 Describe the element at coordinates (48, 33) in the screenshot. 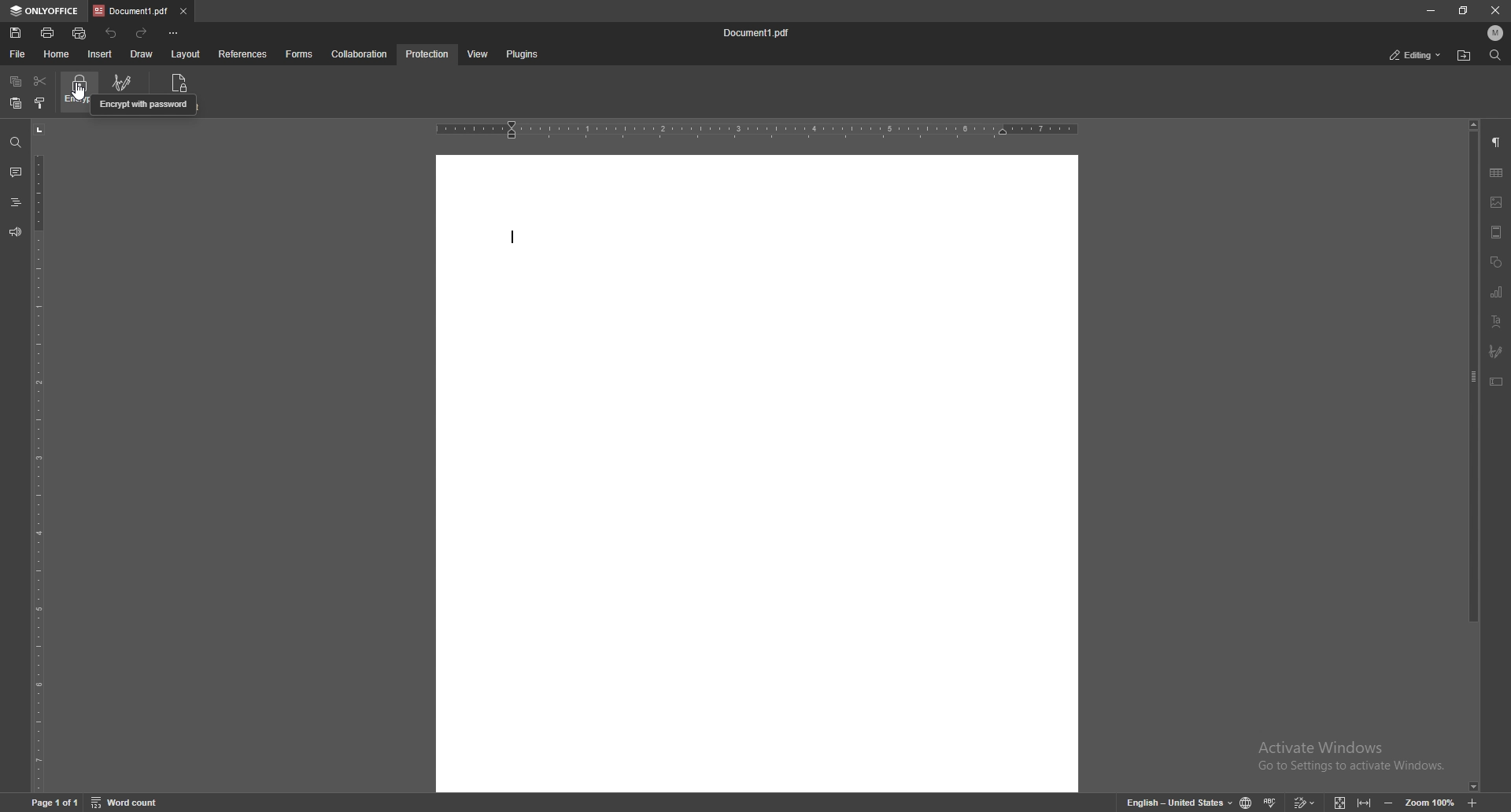

I see `print` at that location.